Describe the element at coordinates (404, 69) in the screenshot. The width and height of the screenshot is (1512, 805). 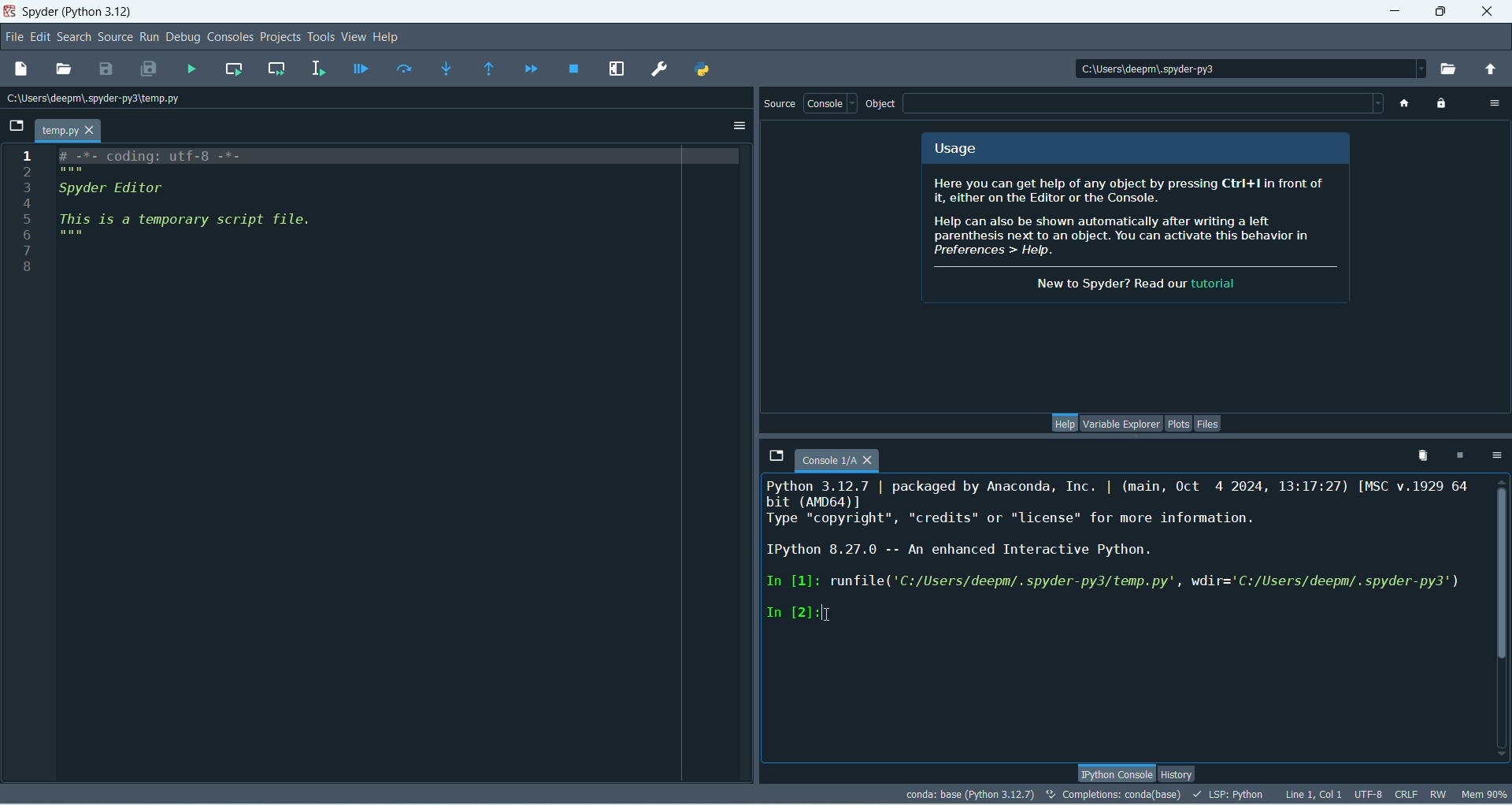
I see `run current line` at that location.